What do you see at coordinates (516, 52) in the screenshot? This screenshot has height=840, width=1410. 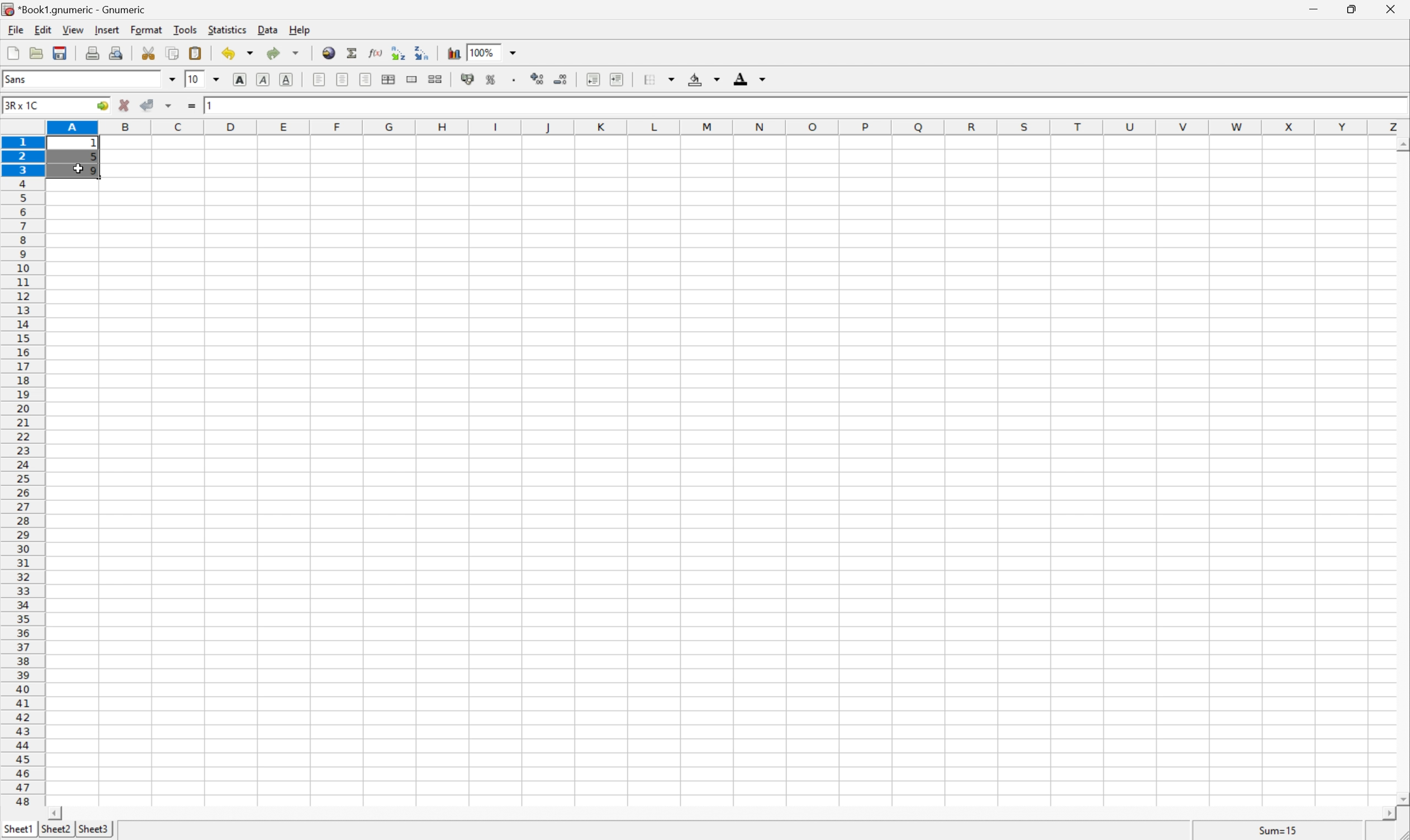 I see `drop down` at bounding box center [516, 52].